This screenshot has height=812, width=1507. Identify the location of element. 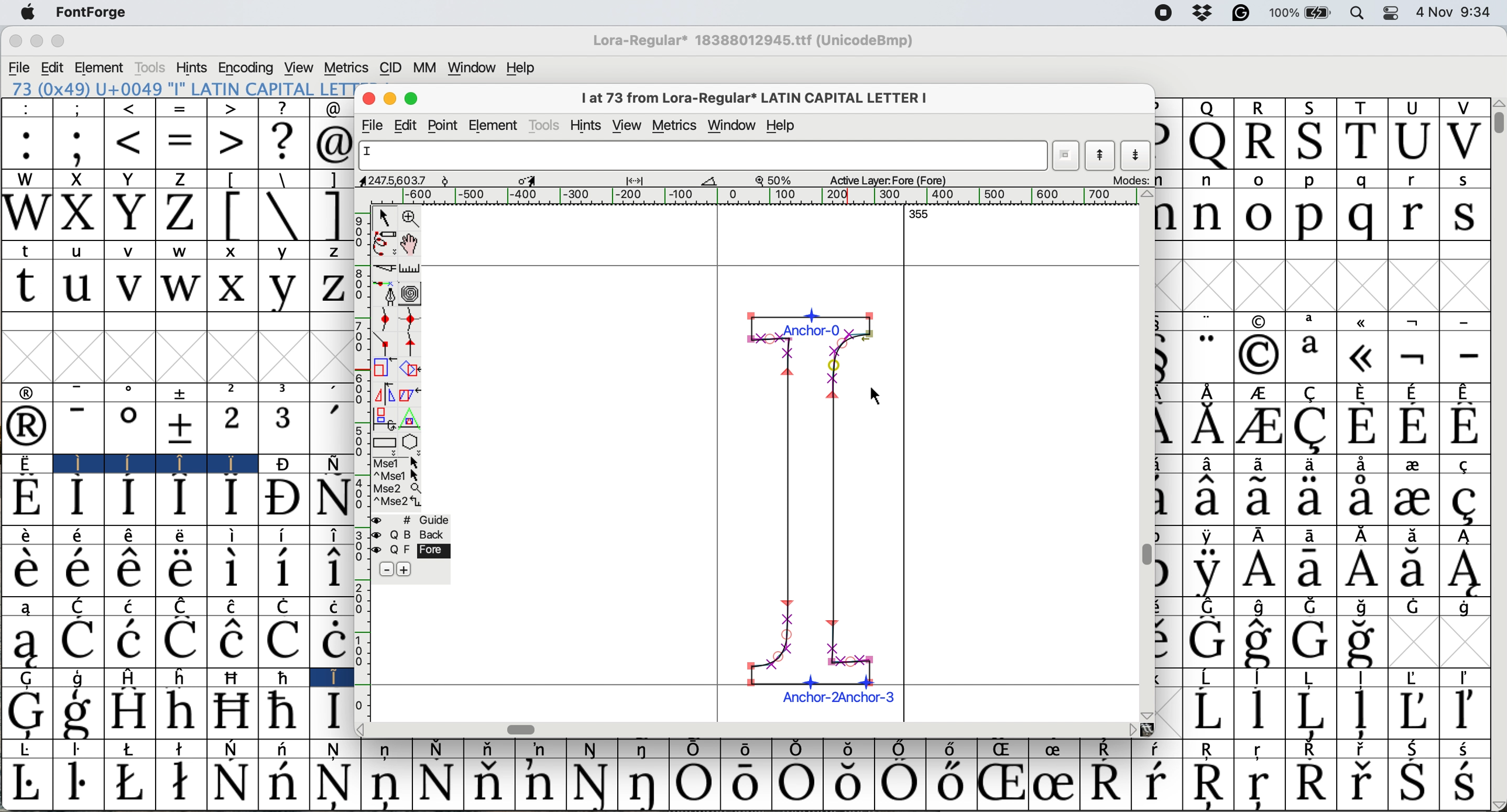
(100, 67).